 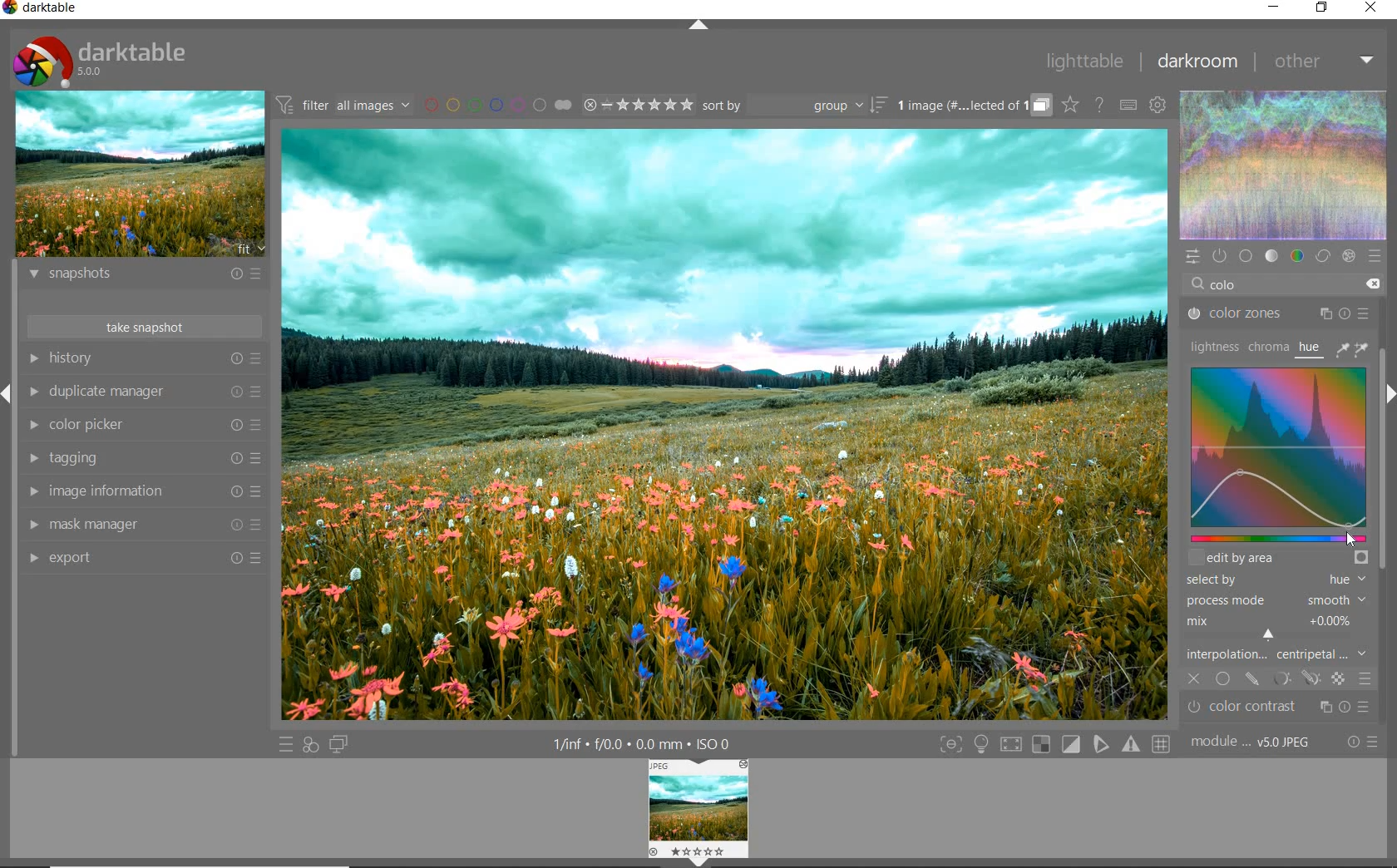 What do you see at coordinates (287, 745) in the screenshot?
I see `quick access to presets` at bounding box center [287, 745].